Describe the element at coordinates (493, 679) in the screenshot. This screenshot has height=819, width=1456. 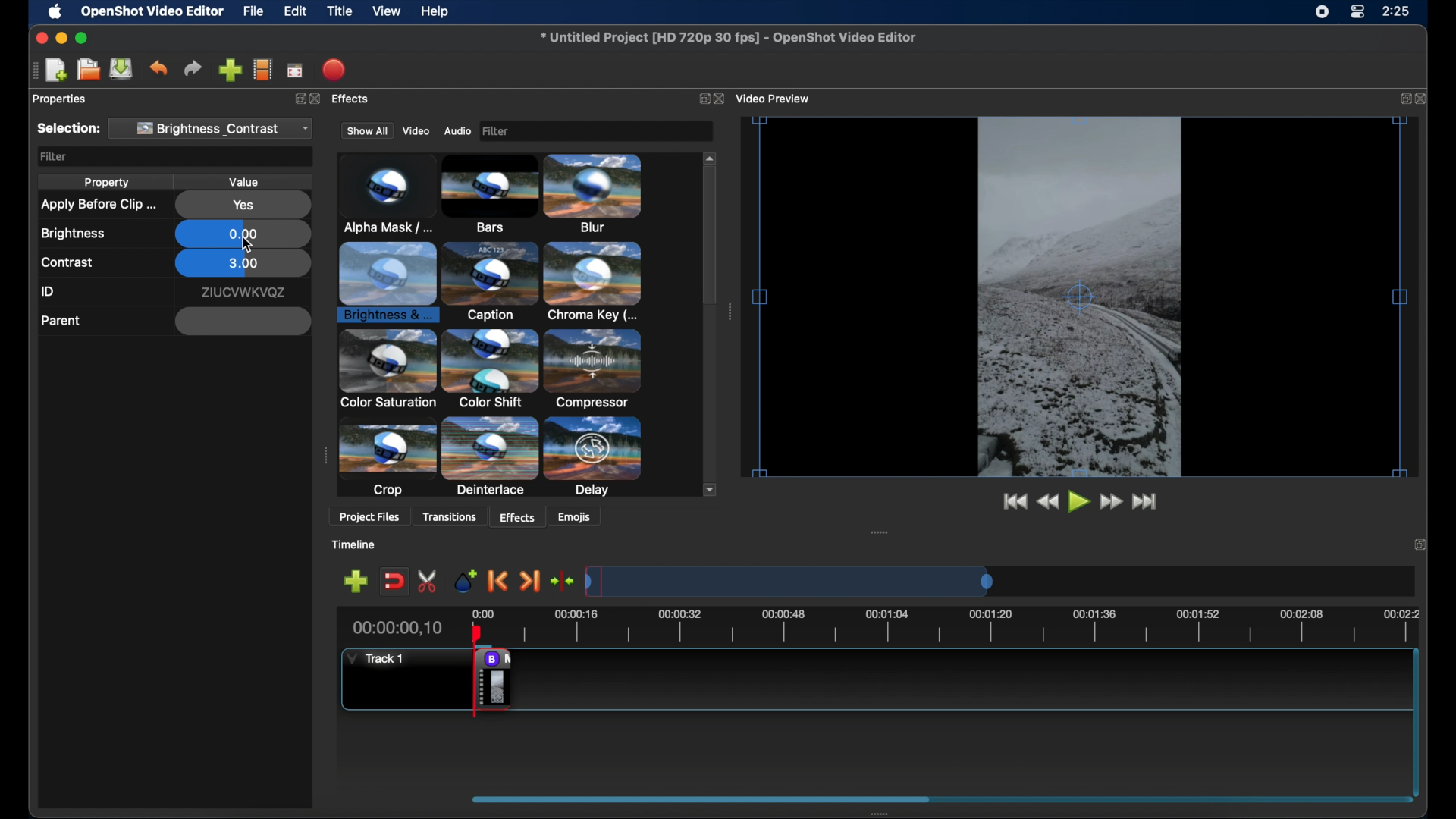
I see `remove effect` at that location.